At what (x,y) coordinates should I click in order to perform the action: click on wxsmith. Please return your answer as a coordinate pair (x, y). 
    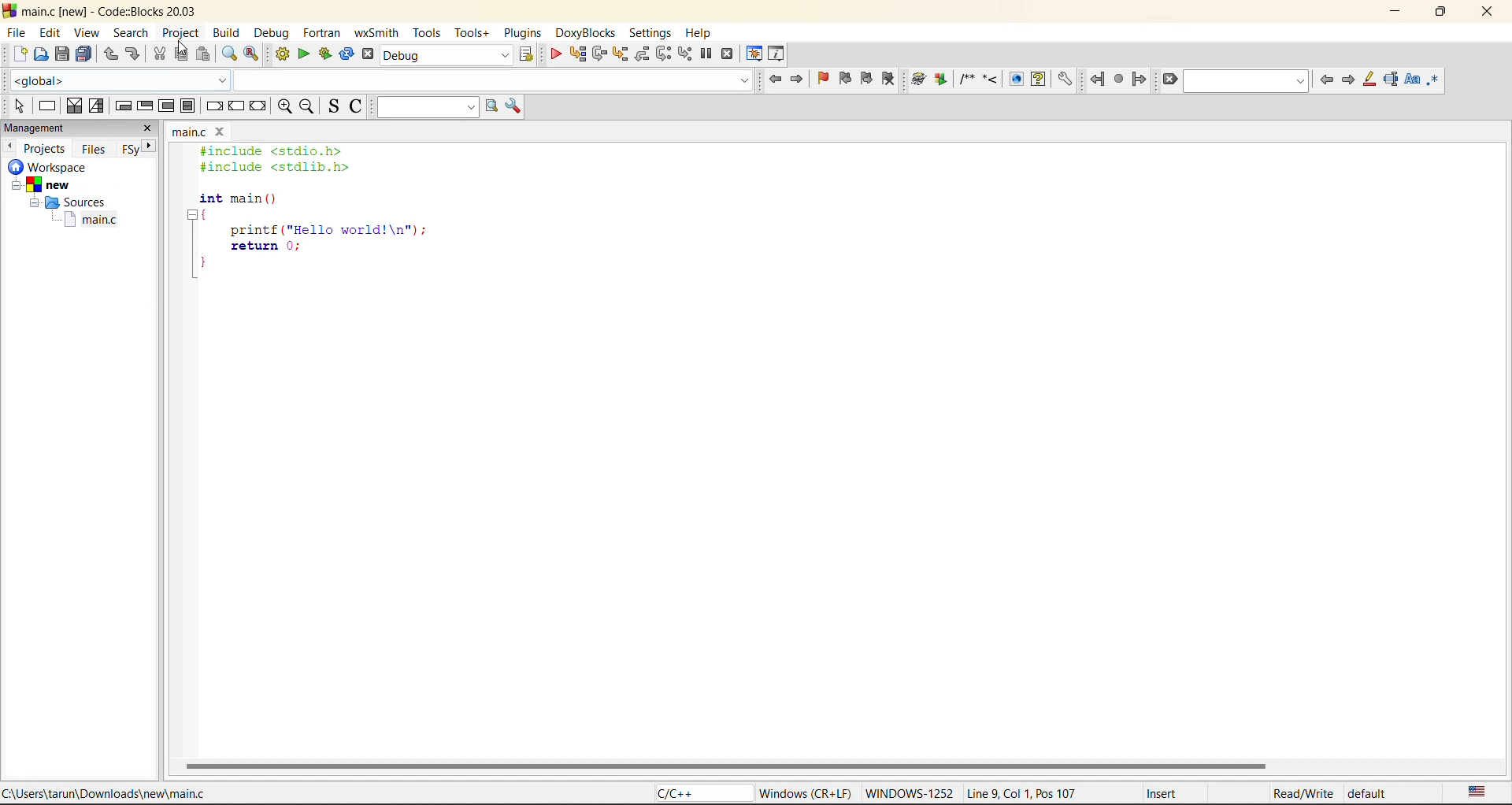
    Looking at the image, I should click on (374, 35).